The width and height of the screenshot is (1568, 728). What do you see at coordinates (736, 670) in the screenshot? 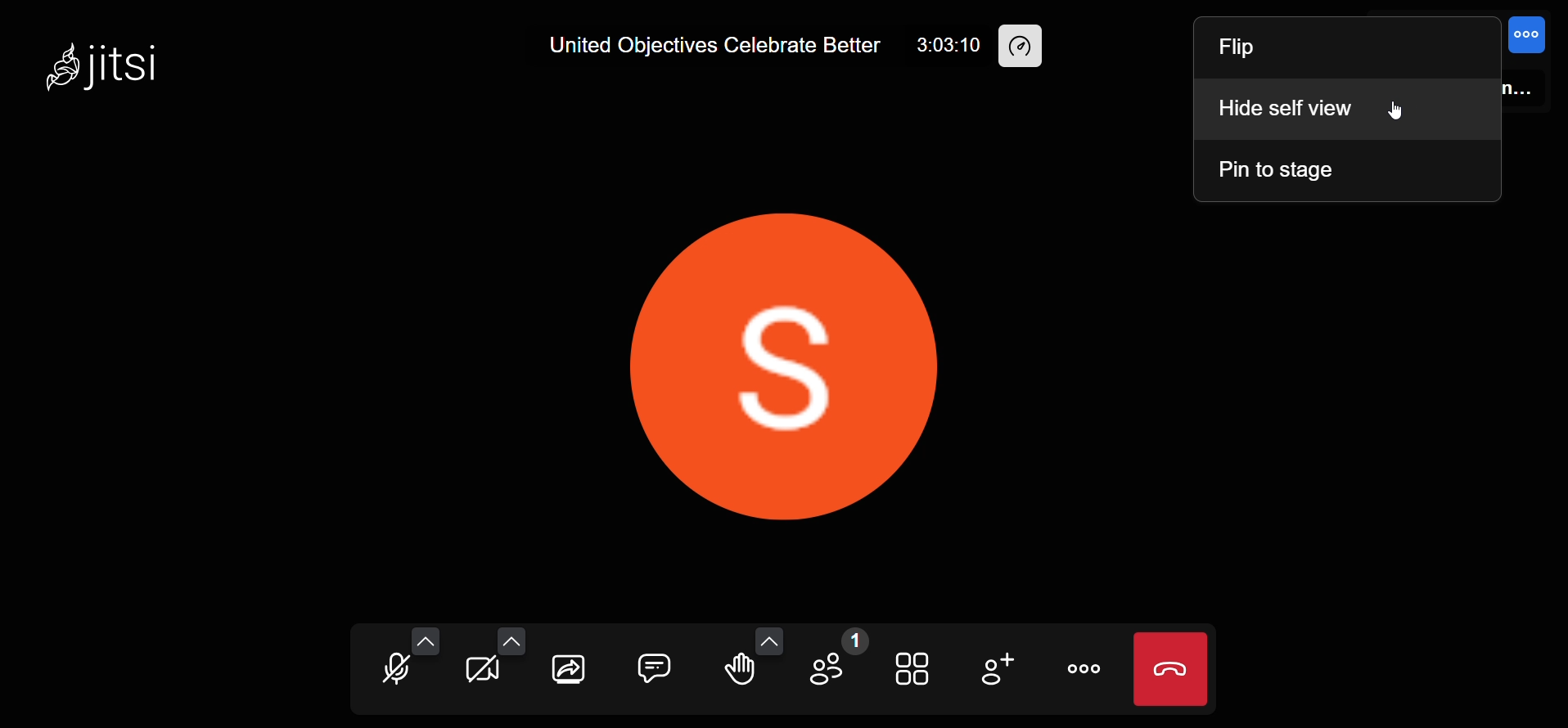
I see `raise hand` at bounding box center [736, 670].